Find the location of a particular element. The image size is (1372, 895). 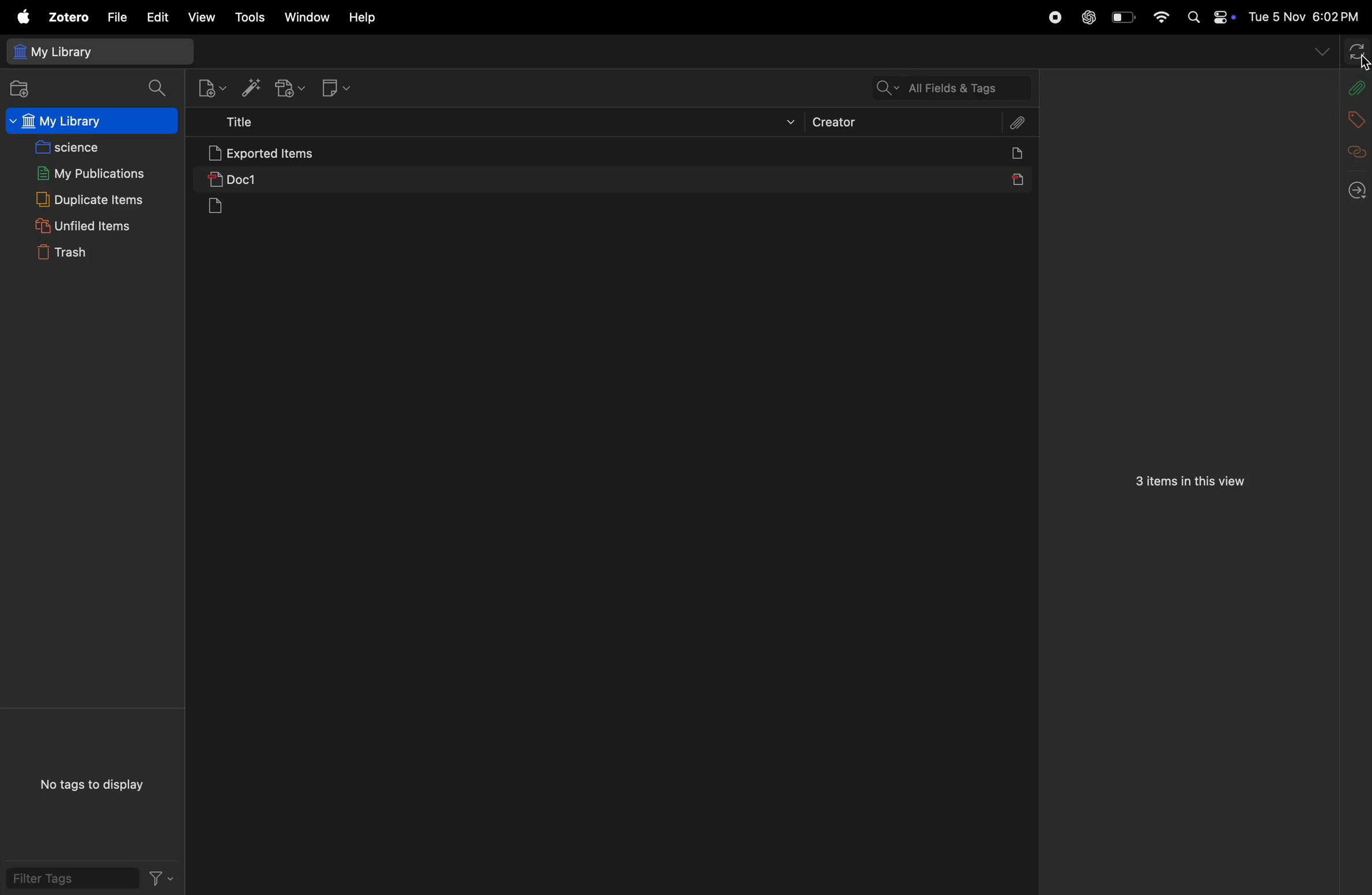

search is located at coordinates (154, 90).